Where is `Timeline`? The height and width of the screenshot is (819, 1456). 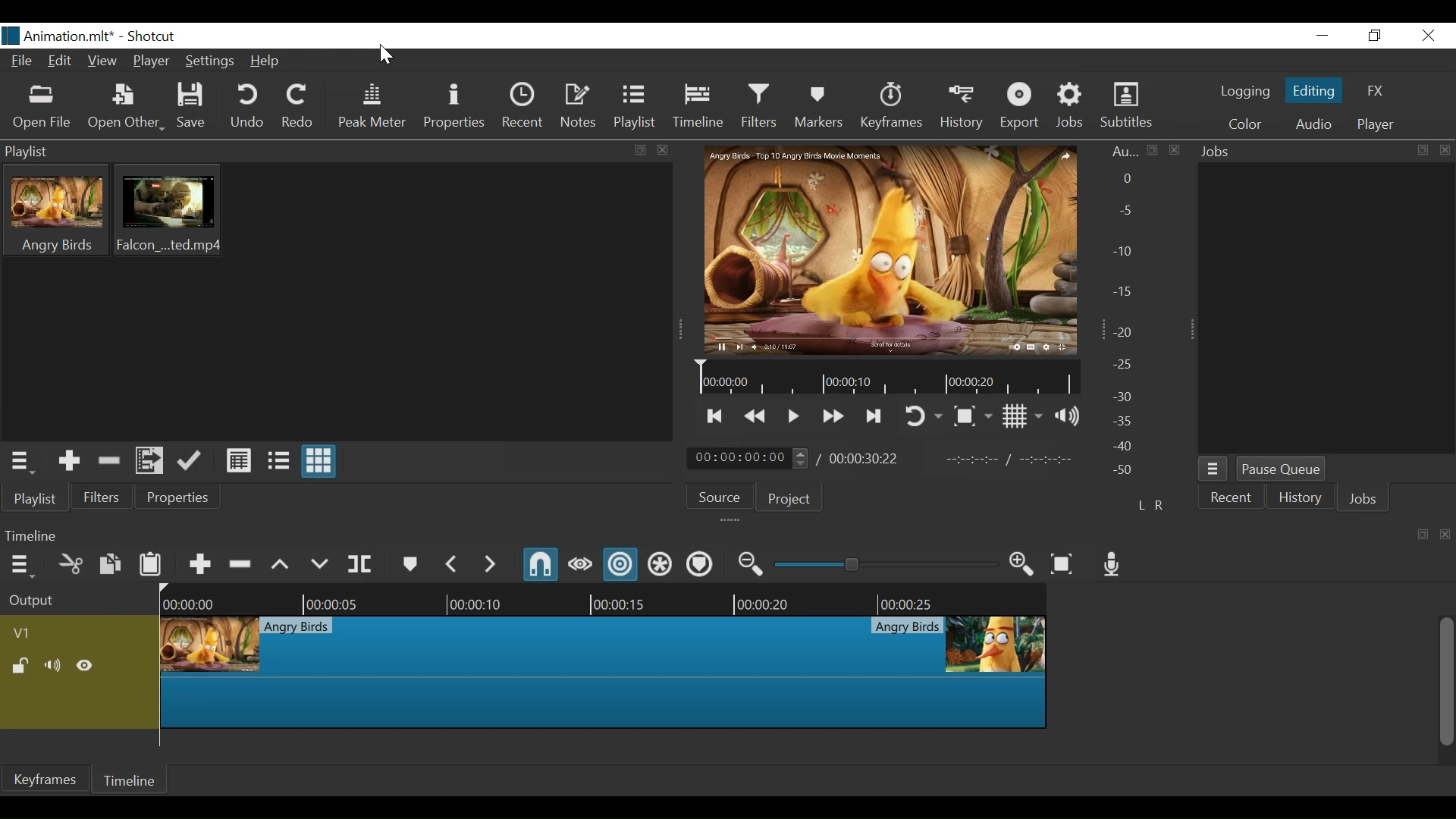 Timeline is located at coordinates (885, 378).